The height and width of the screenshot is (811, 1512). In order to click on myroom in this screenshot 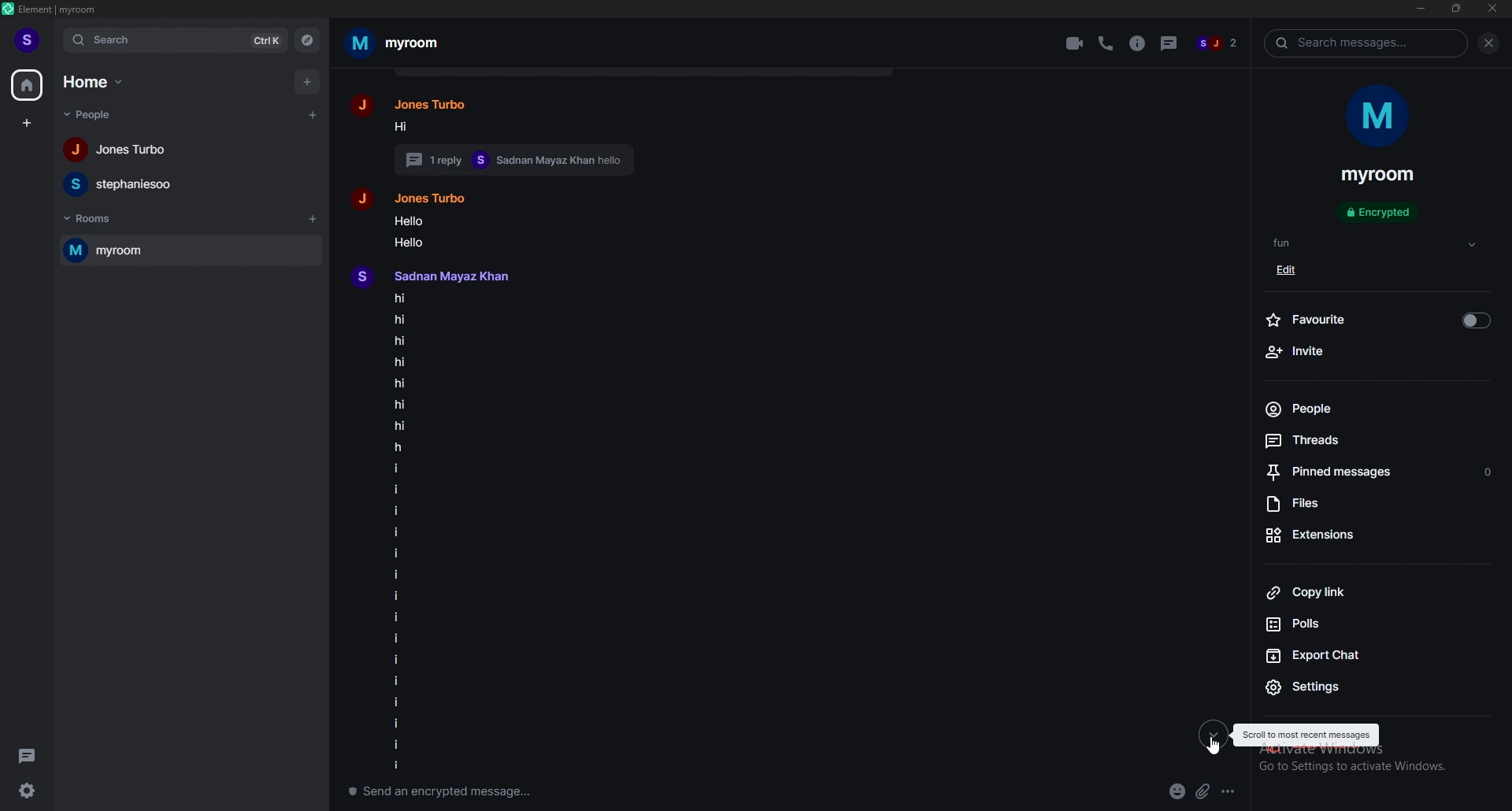, I will do `click(397, 41)`.